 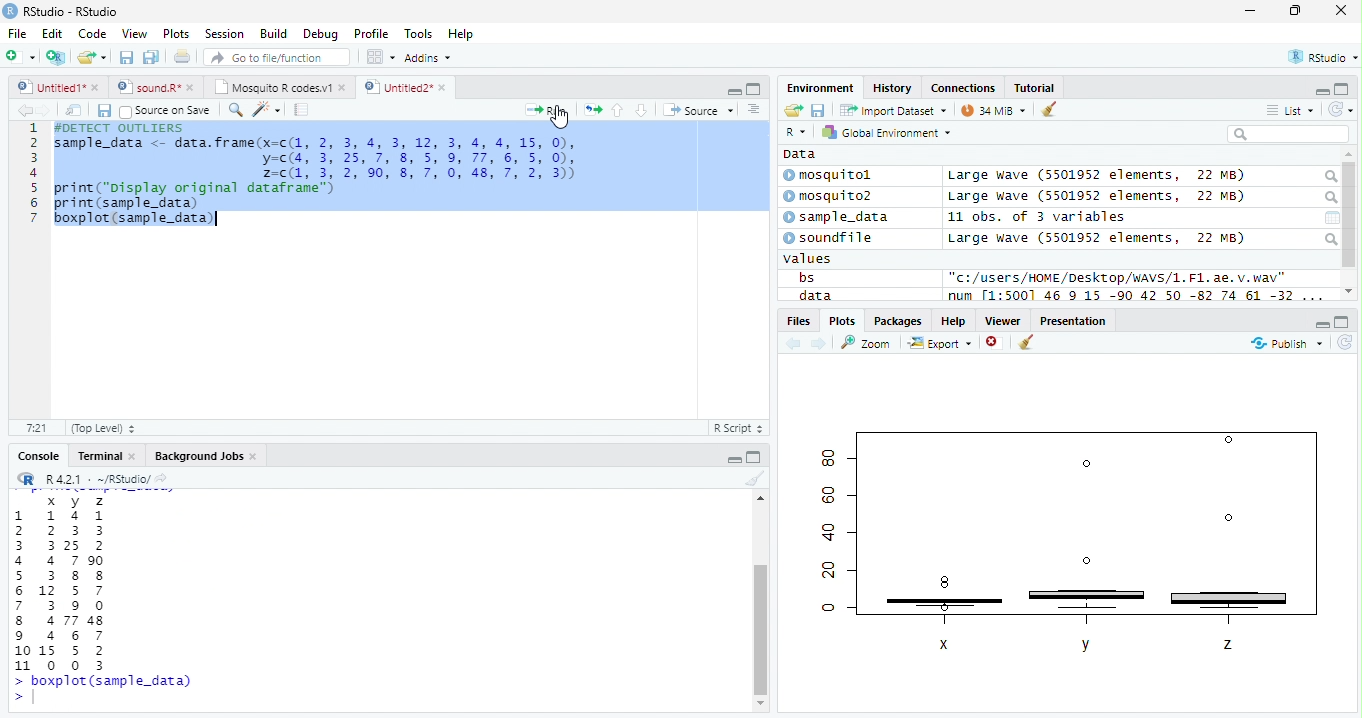 What do you see at coordinates (1294, 10) in the screenshot?
I see `maximize` at bounding box center [1294, 10].